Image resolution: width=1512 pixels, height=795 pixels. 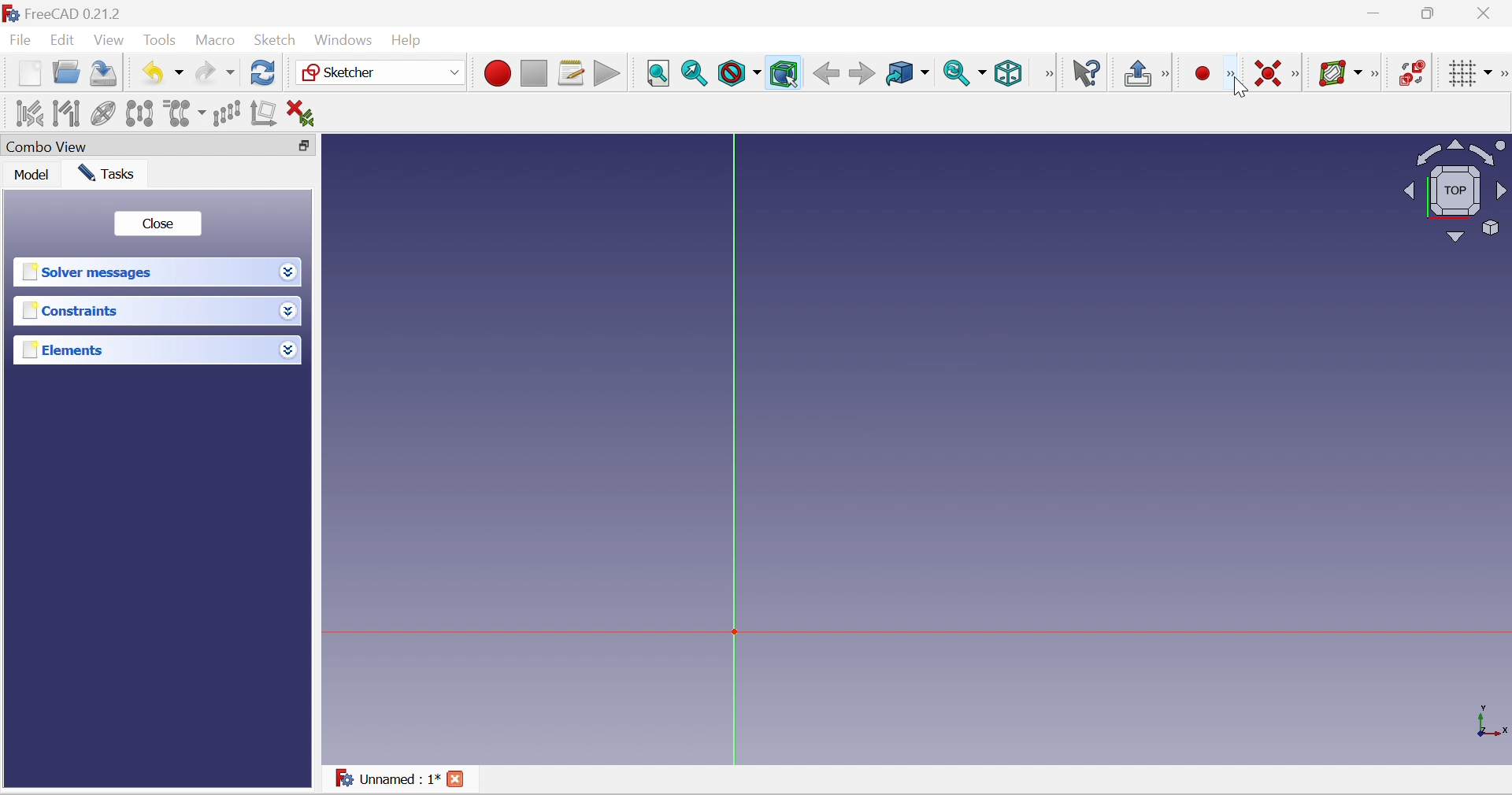 I want to click on Close, so click(x=454, y=778).